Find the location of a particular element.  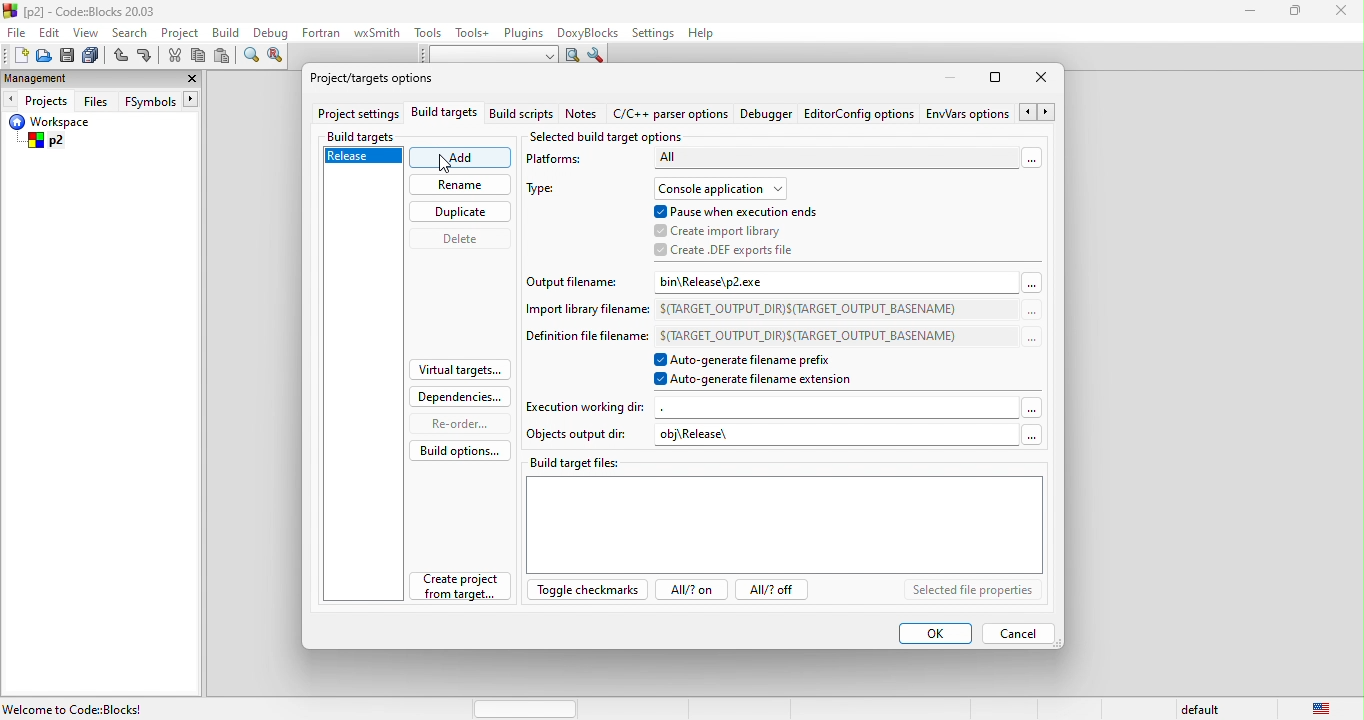

re order is located at coordinates (456, 423).